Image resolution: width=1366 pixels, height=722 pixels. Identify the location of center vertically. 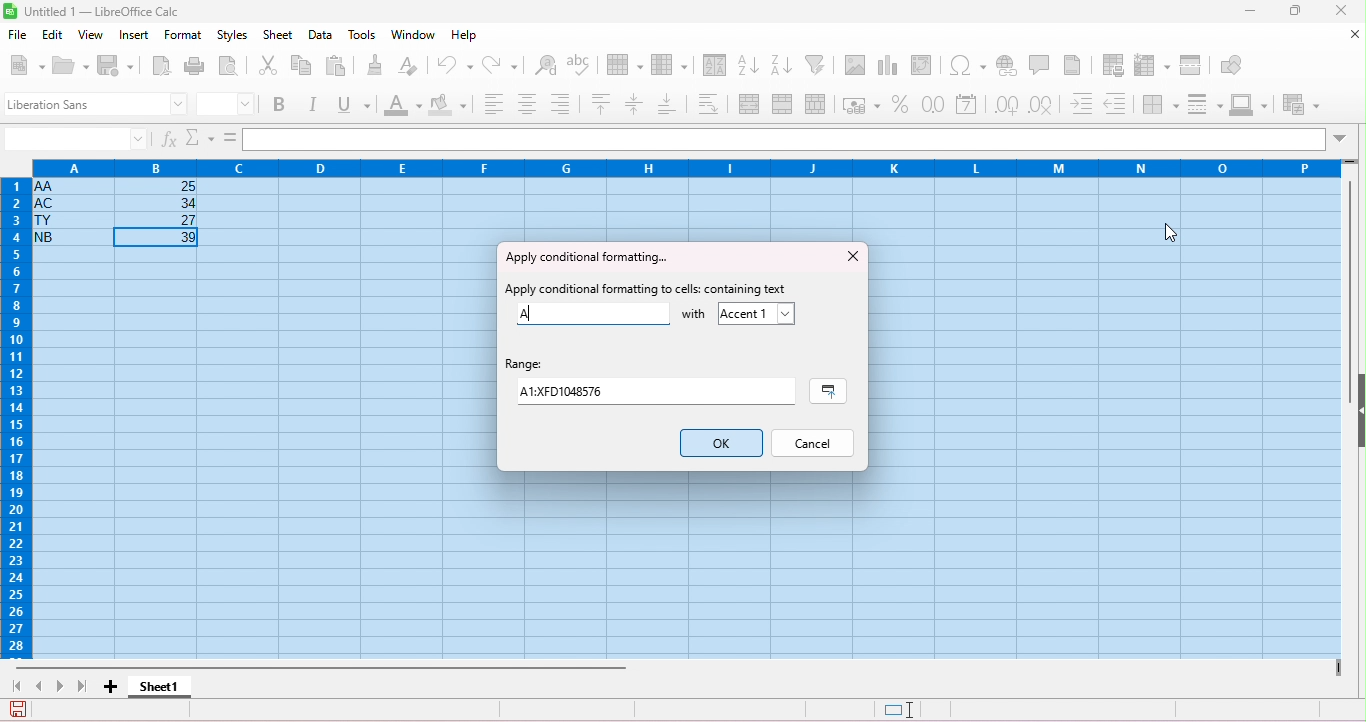
(635, 104).